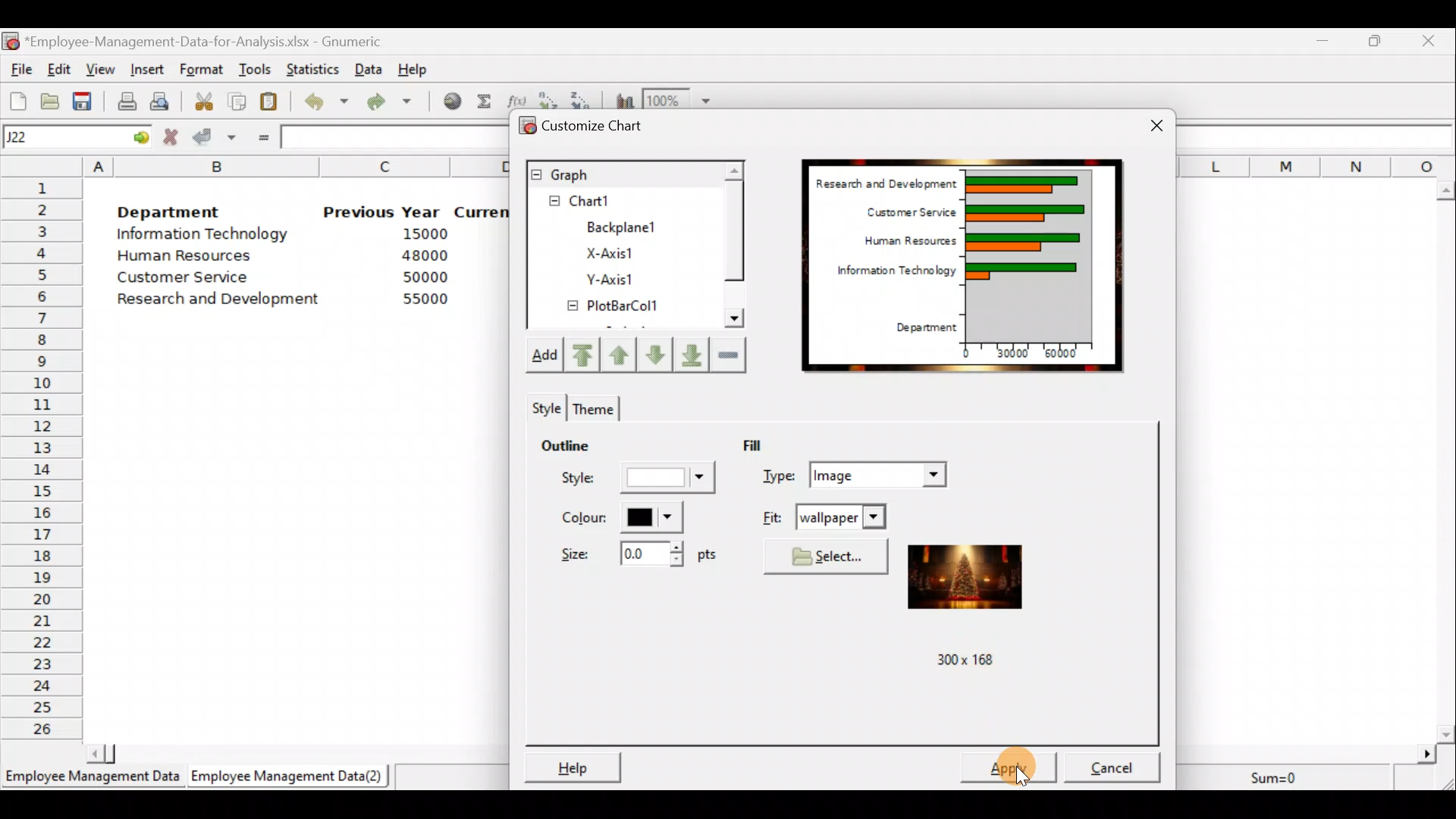 This screenshot has height=819, width=1456. Describe the element at coordinates (730, 356) in the screenshot. I see `Remove` at that location.